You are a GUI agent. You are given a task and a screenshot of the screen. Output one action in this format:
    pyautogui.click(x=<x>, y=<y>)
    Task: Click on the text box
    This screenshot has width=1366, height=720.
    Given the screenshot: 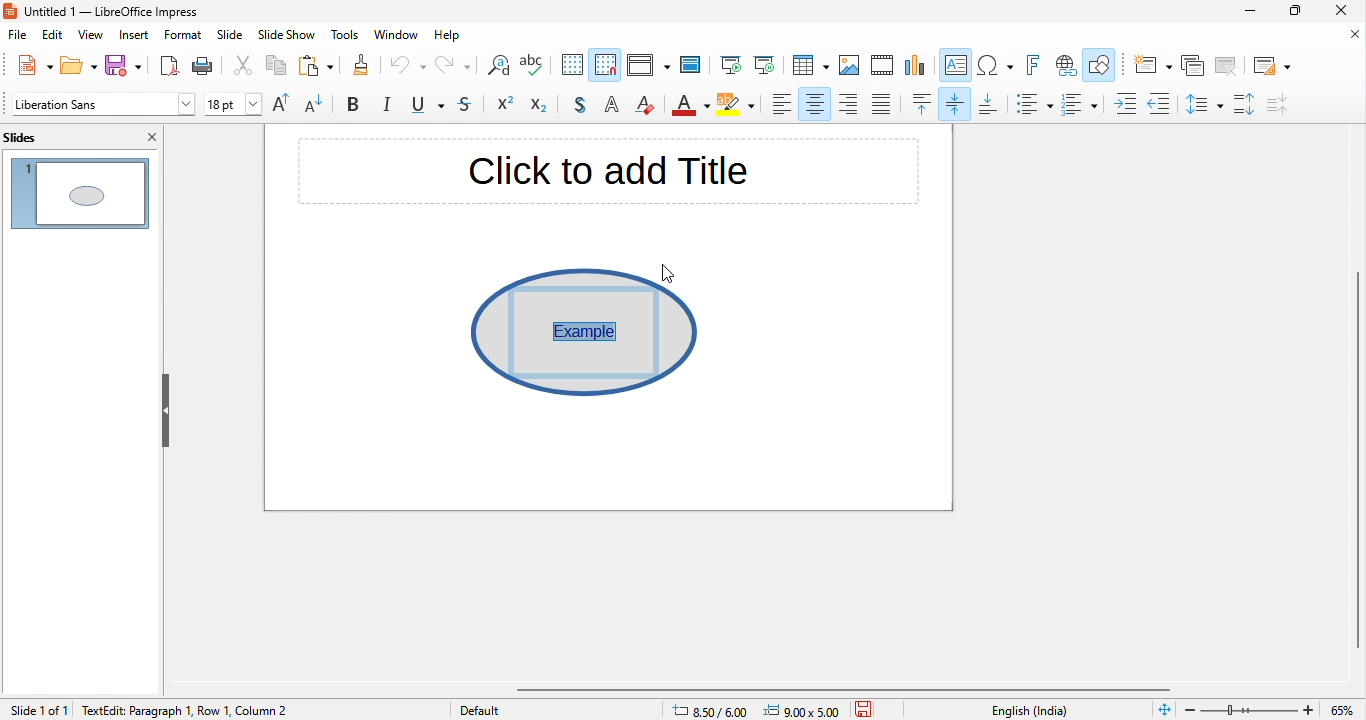 What is the action you would take?
    pyautogui.click(x=957, y=67)
    